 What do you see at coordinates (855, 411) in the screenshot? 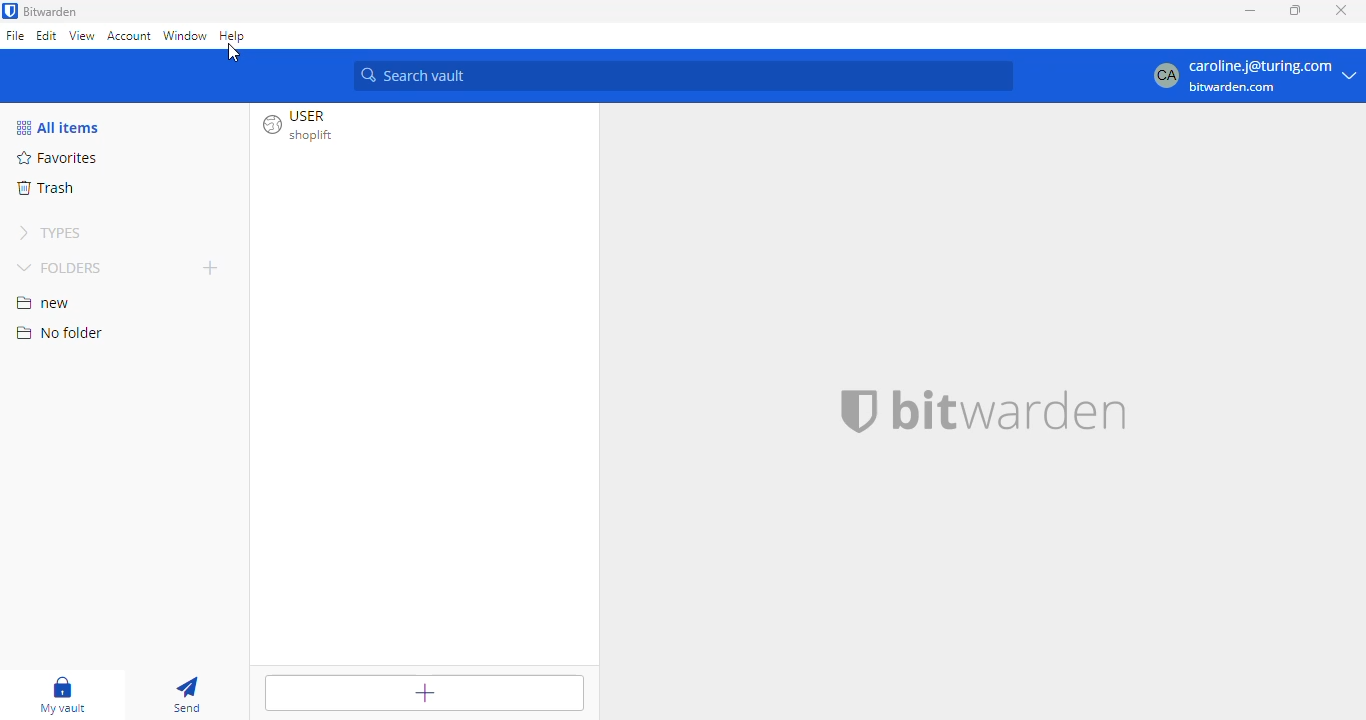
I see `logo` at bounding box center [855, 411].